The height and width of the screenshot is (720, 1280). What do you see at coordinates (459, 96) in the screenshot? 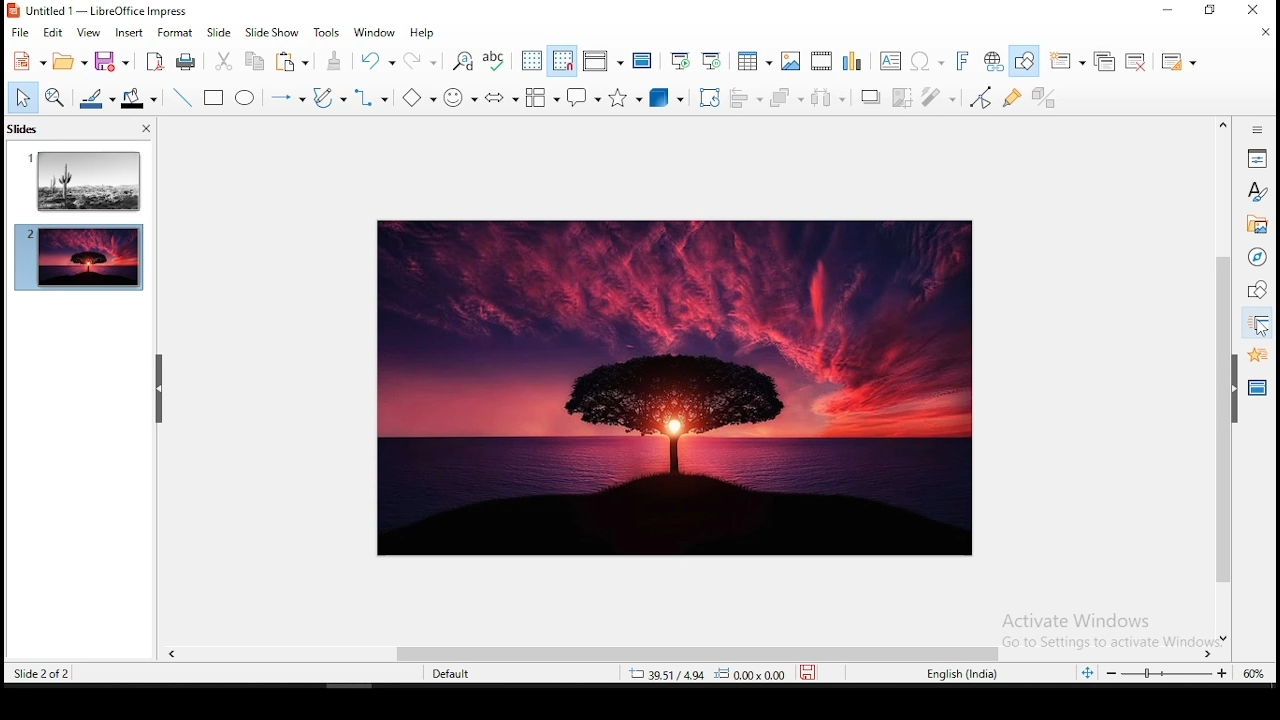
I see `symbol shapes` at bounding box center [459, 96].